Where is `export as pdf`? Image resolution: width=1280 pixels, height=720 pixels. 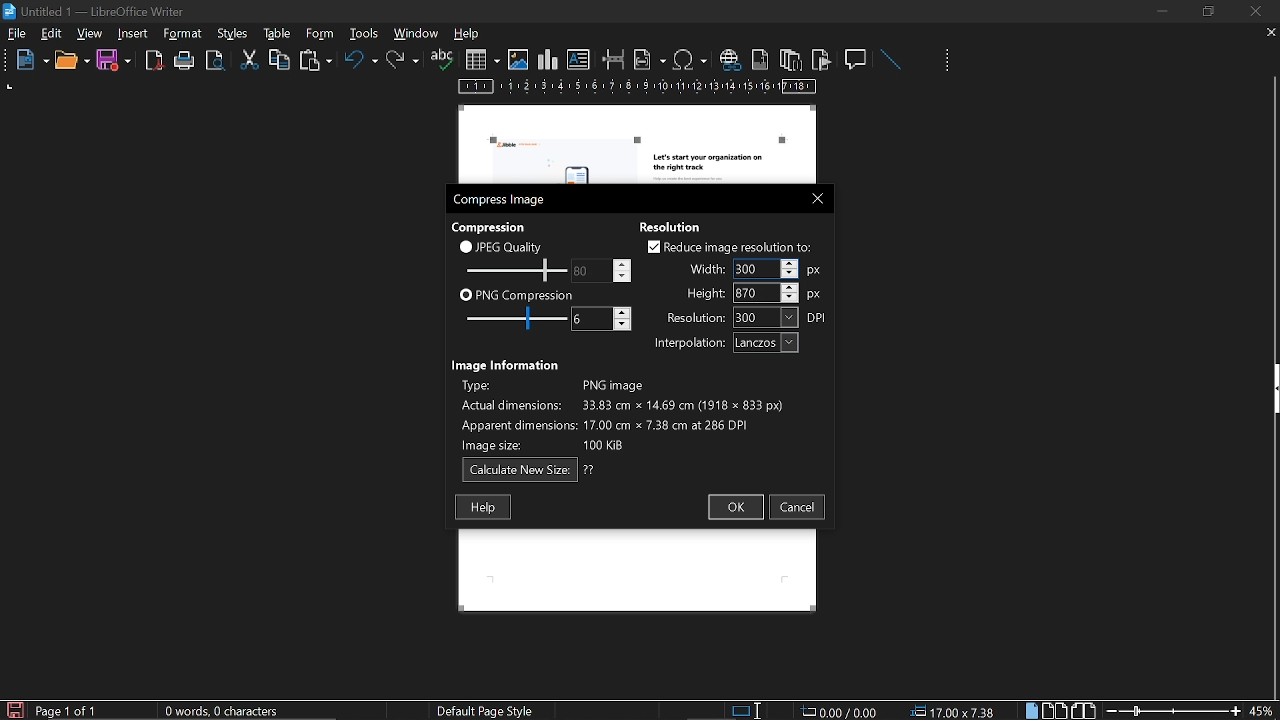
export as pdf is located at coordinates (155, 61).